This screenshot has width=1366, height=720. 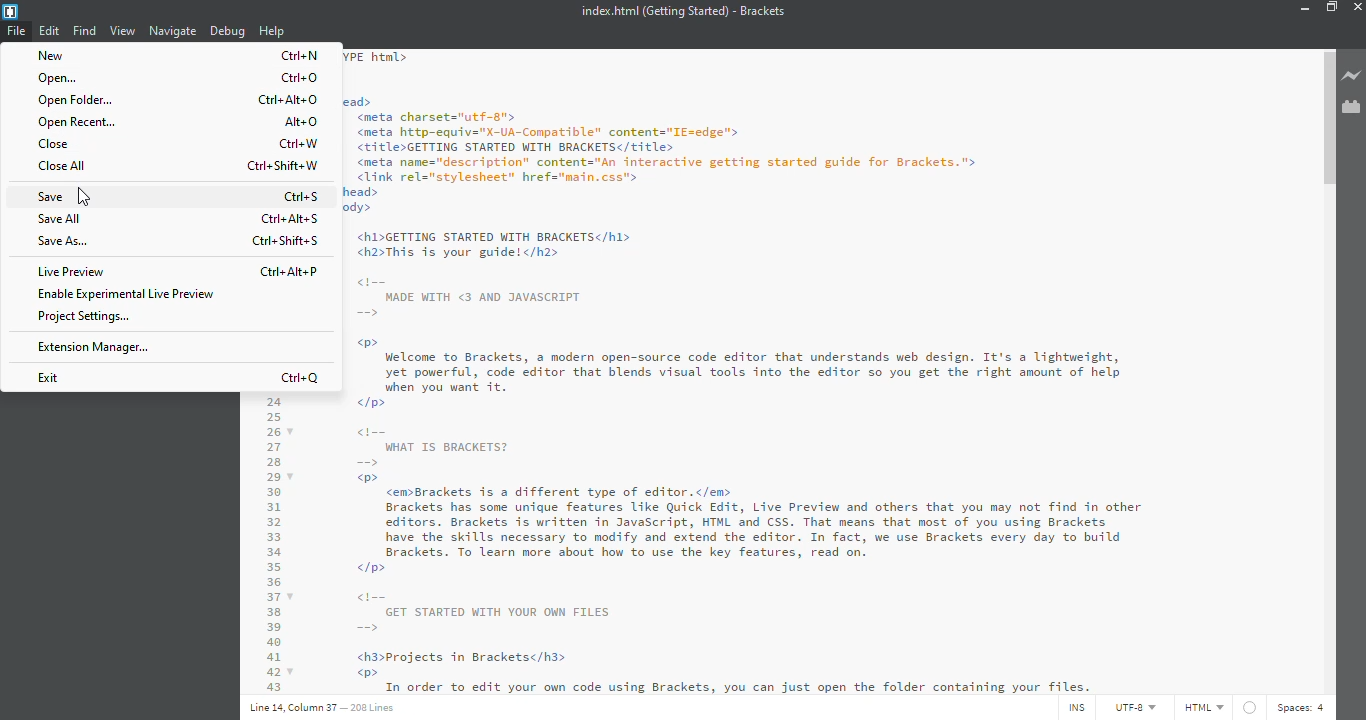 I want to click on ctrl+shift+s, so click(x=287, y=241).